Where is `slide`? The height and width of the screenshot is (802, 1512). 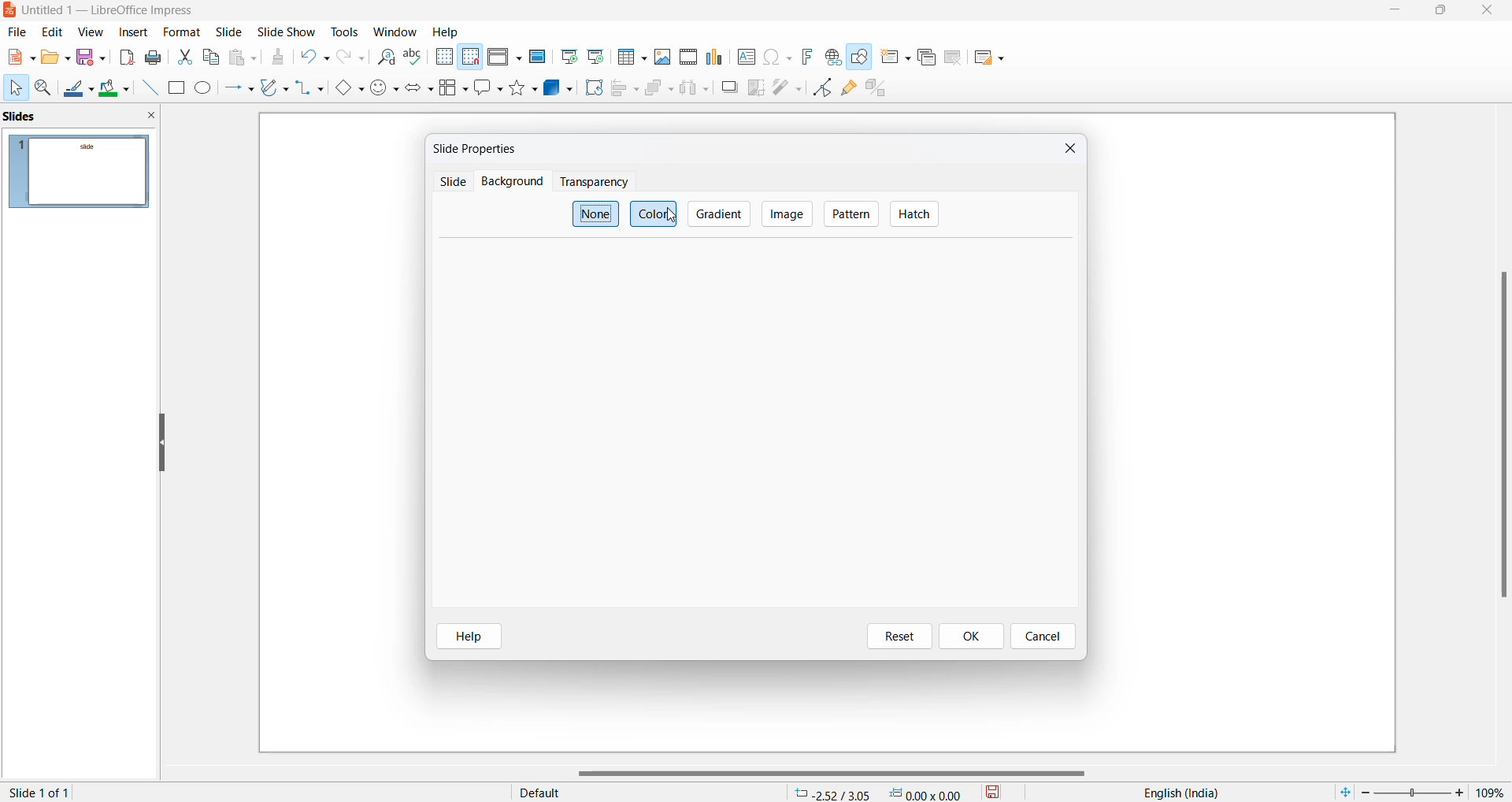 slide is located at coordinates (181, 32).